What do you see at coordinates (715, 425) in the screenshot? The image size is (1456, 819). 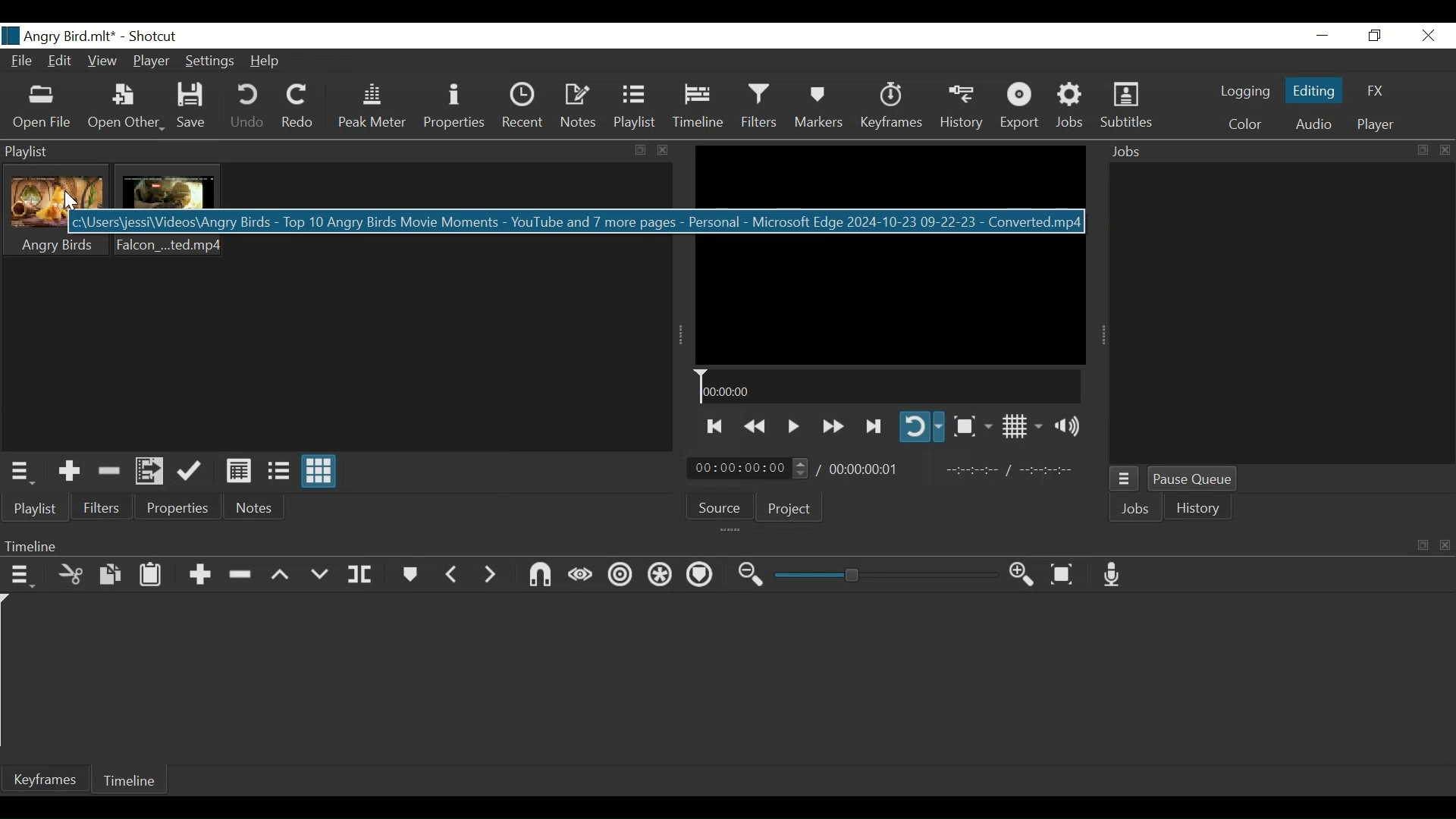 I see `Skip to the previous point` at bounding box center [715, 425].